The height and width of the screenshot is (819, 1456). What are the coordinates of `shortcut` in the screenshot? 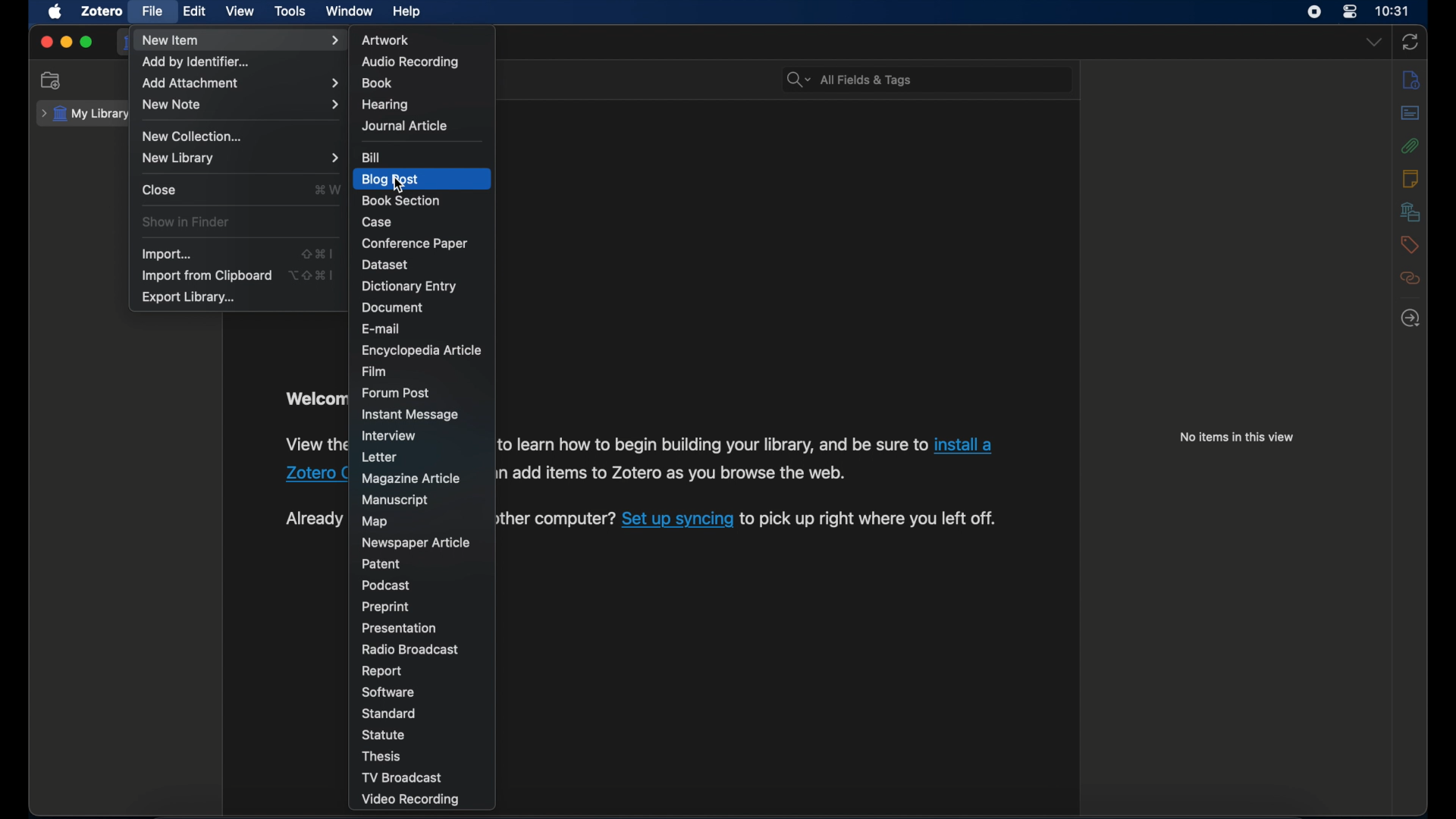 It's located at (327, 189).